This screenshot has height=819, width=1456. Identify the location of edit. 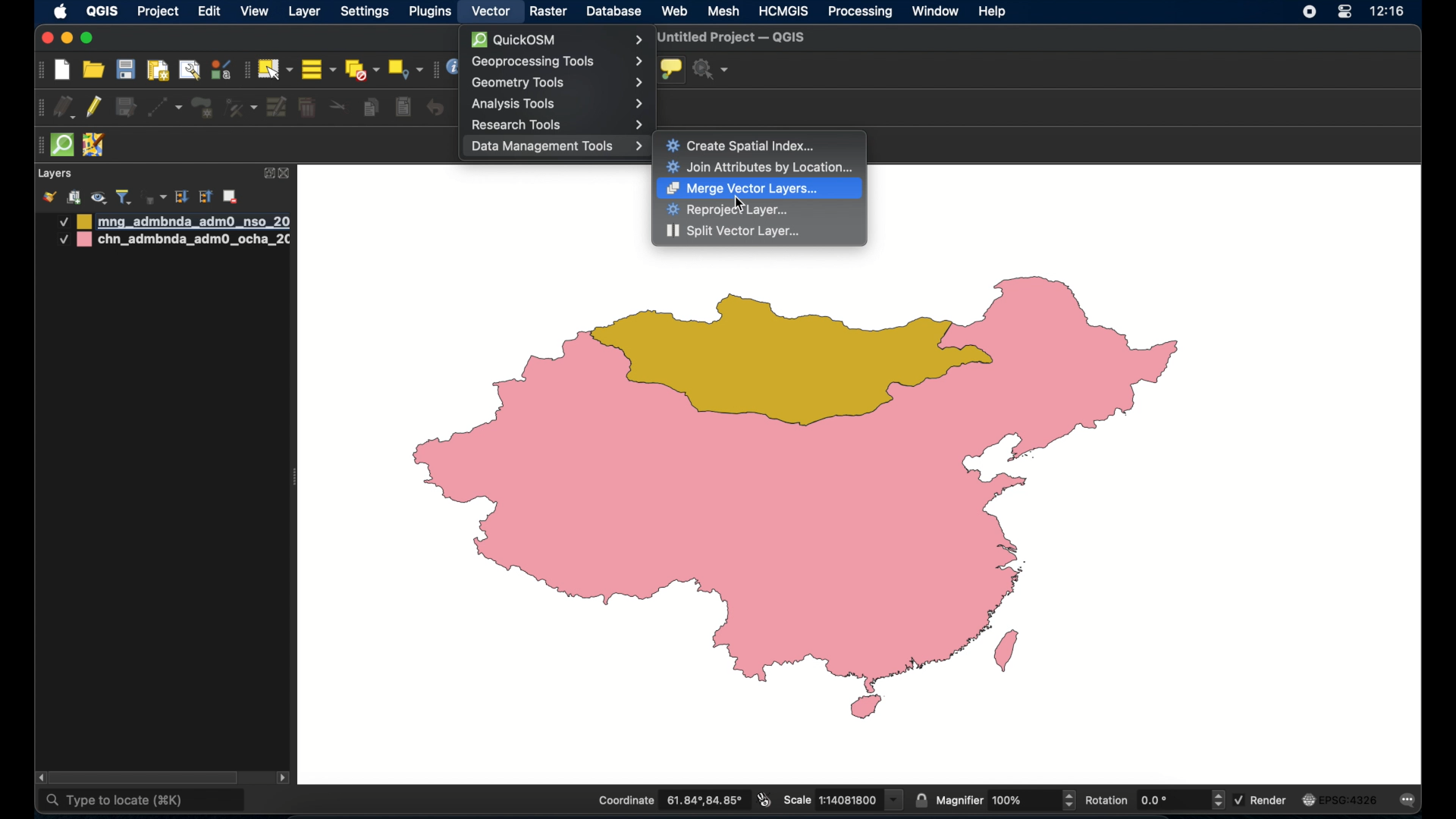
(209, 13).